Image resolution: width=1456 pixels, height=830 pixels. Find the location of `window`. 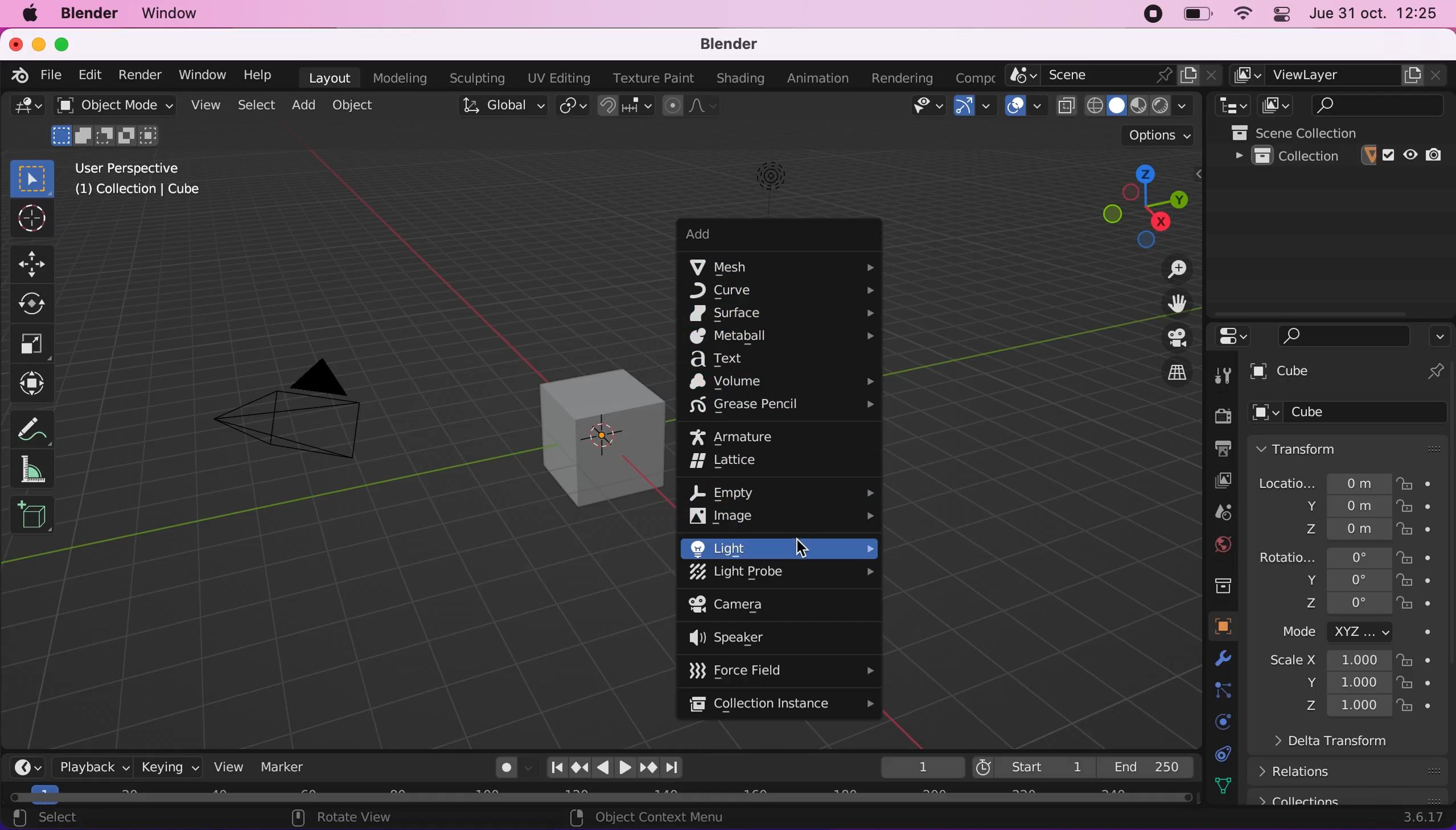

window is located at coordinates (198, 74).